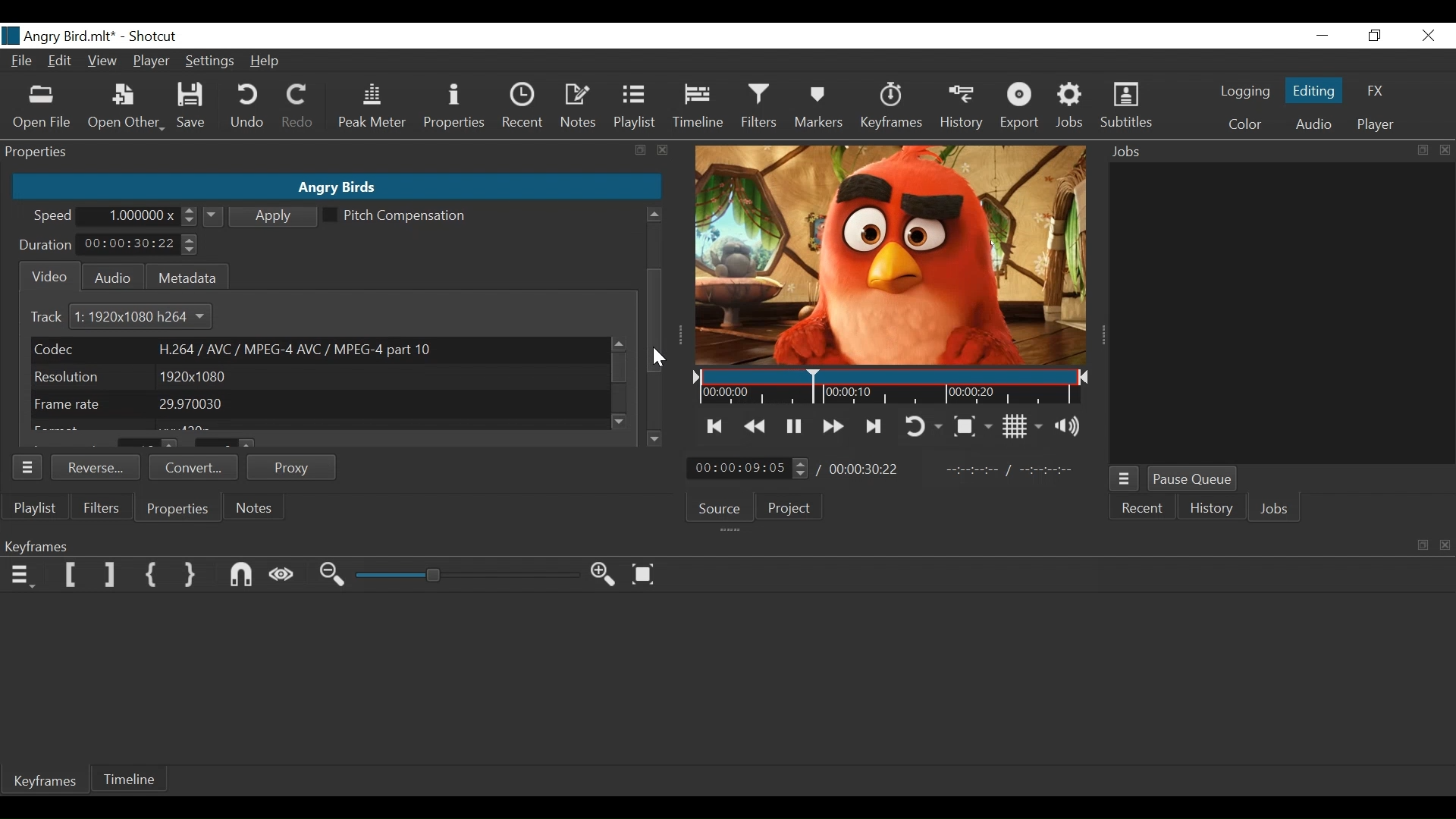 Image resolution: width=1456 pixels, height=819 pixels. What do you see at coordinates (249, 108) in the screenshot?
I see `Undo` at bounding box center [249, 108].